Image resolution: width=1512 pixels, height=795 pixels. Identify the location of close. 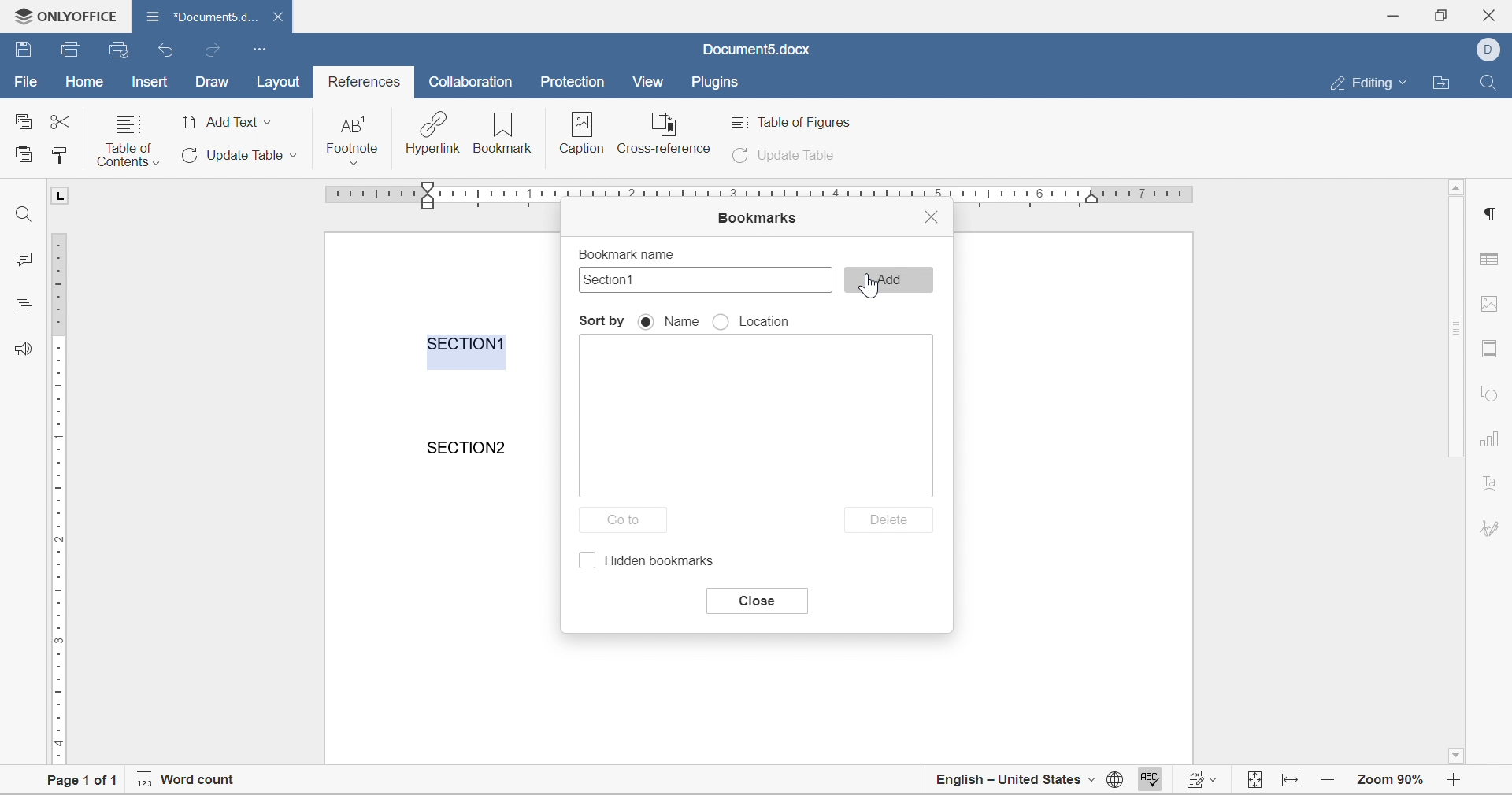
(755, 601).